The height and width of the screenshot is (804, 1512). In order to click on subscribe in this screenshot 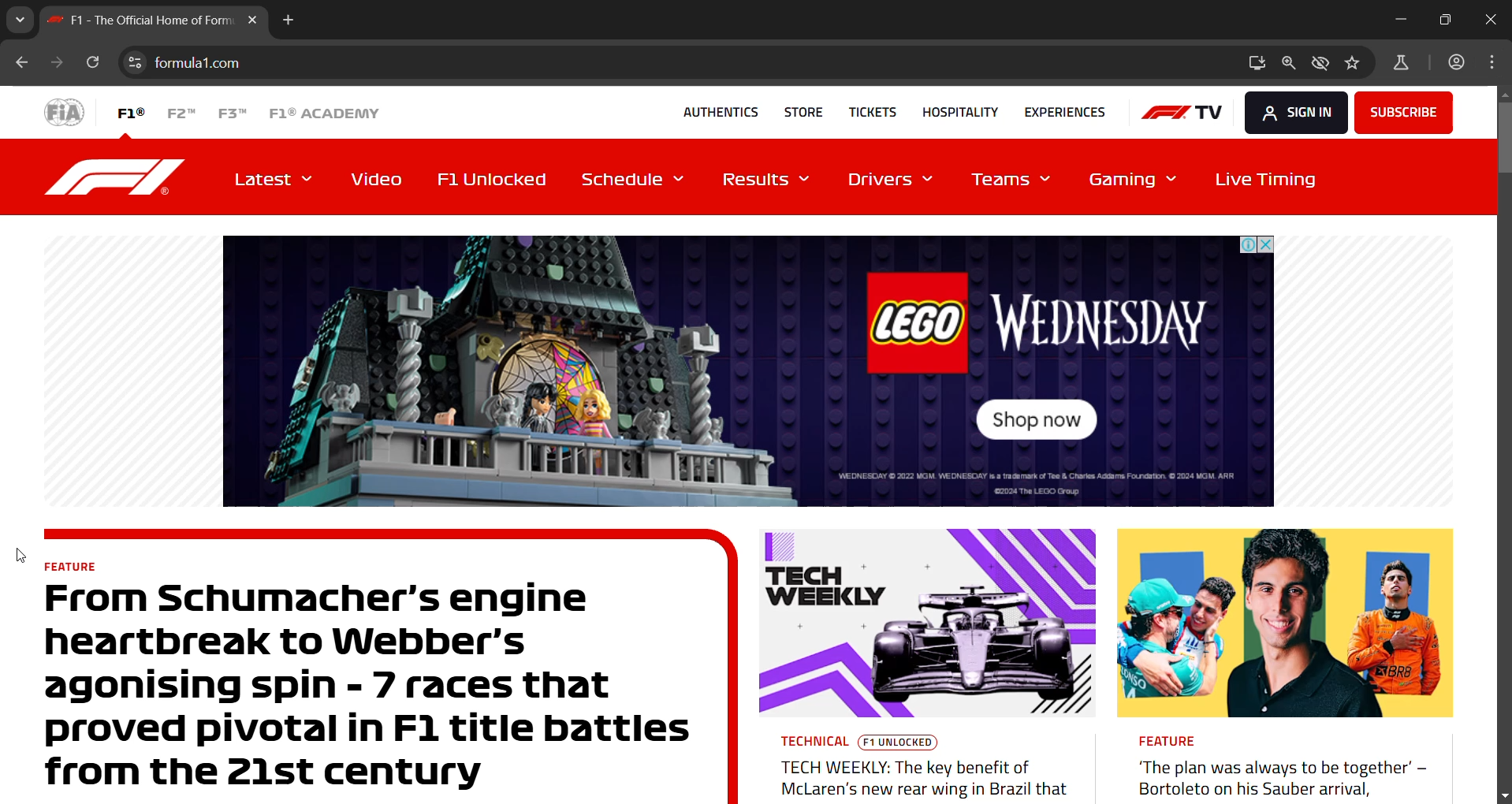, I will do `click(1402, 111)`.